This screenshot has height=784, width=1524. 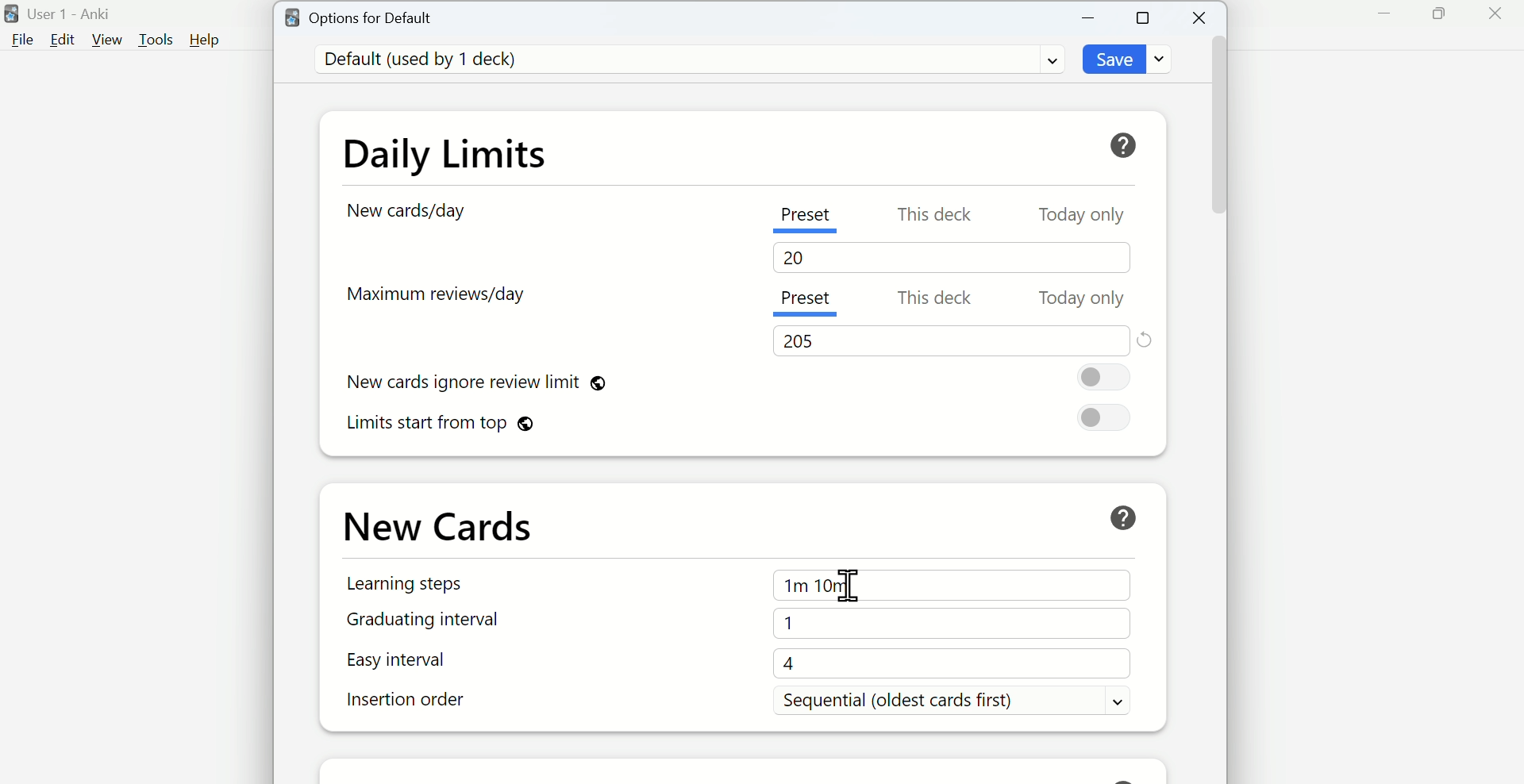 I want to click on Dropdown, so click(x=1043, y=62).